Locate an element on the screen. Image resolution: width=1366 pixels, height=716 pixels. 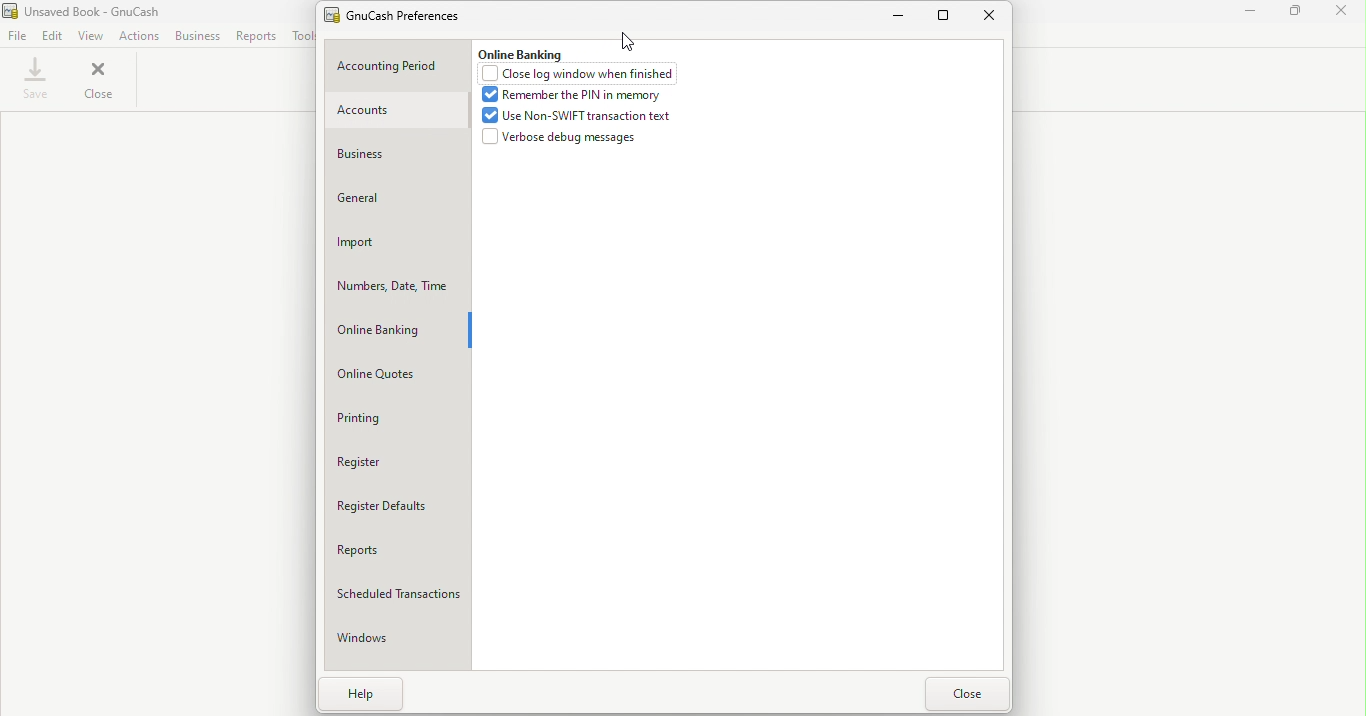
General is located at coordinates (396, 199).